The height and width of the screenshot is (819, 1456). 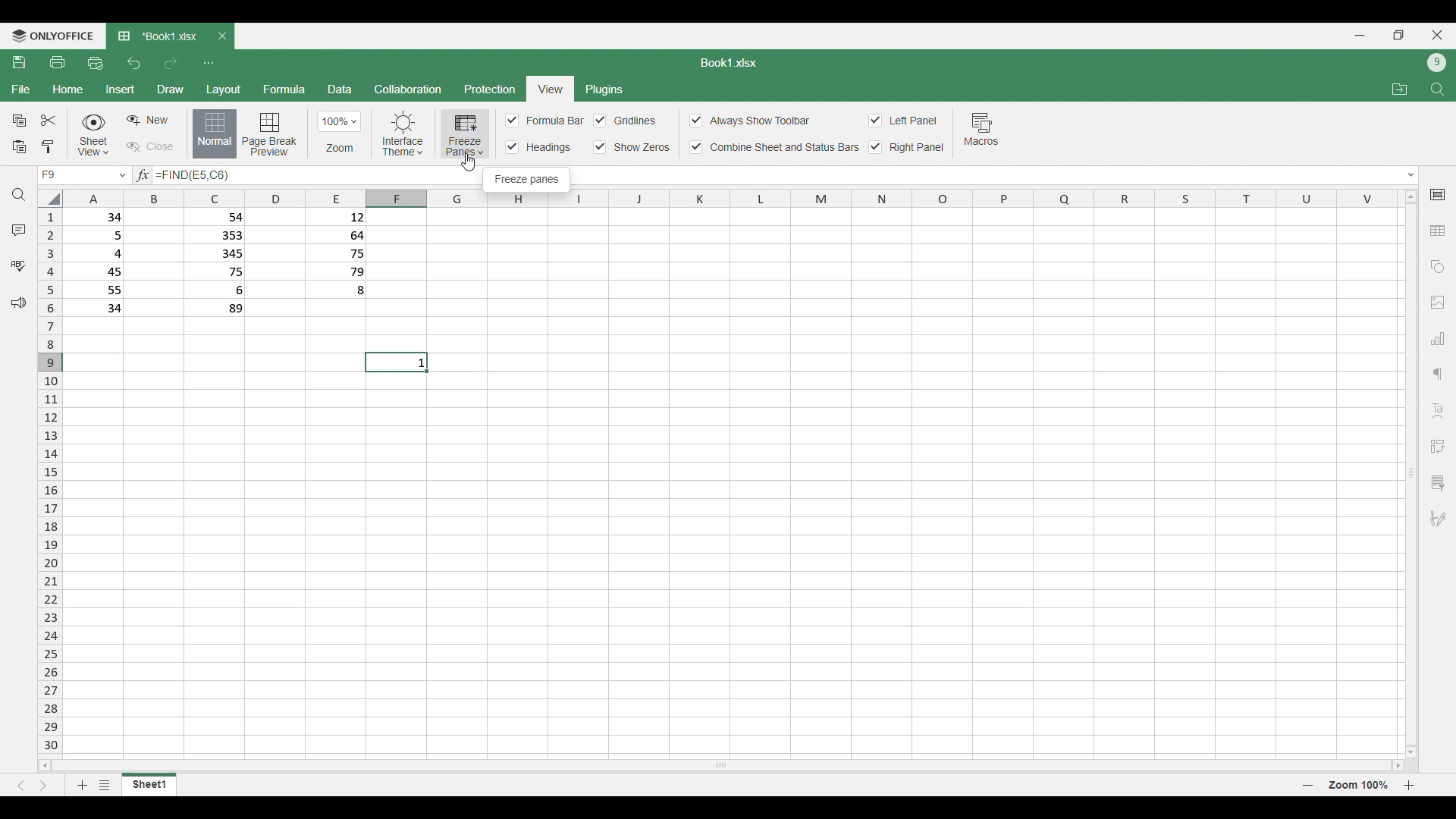 I want to click on Home menu, so click(x=67, y=89).